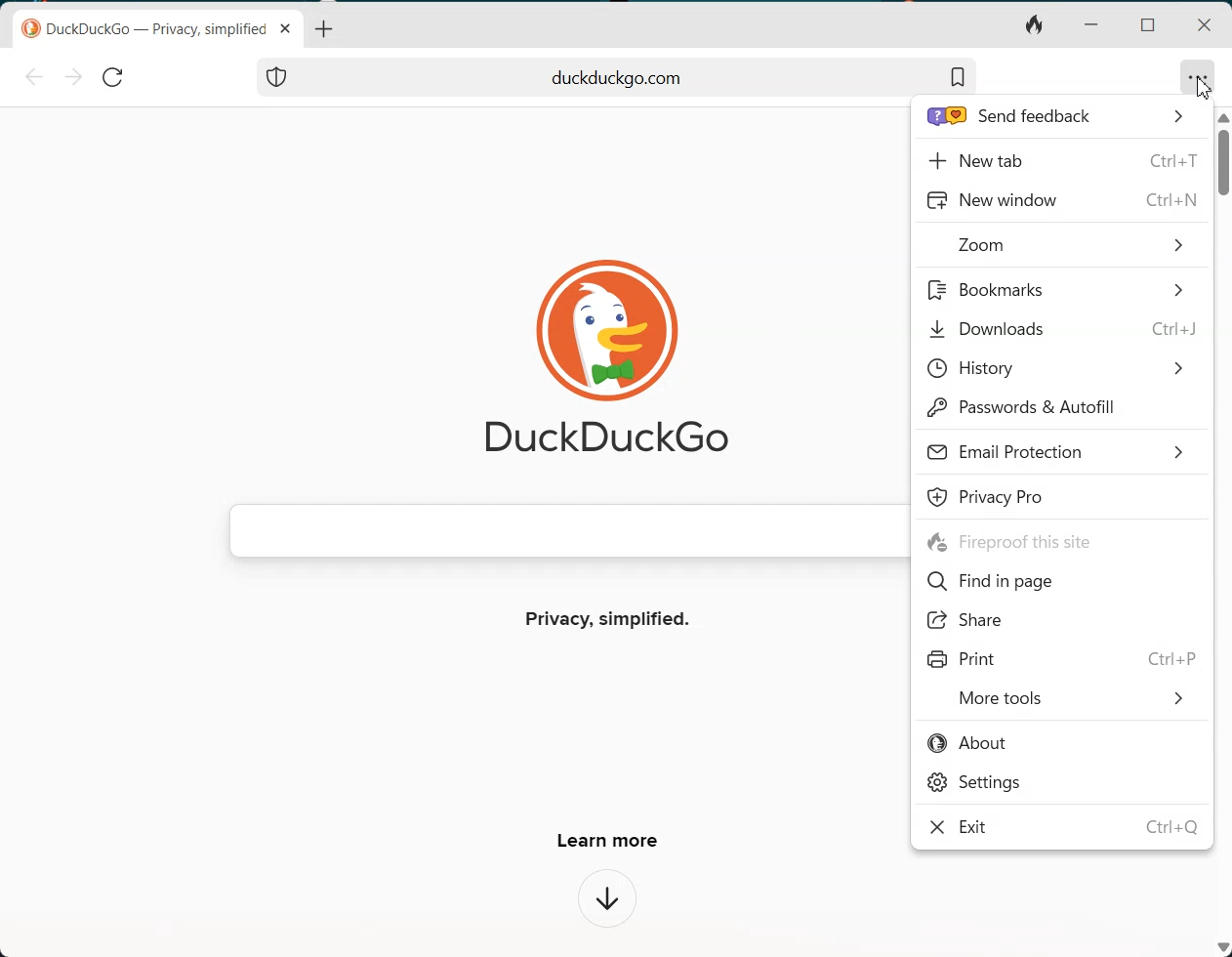 Image resolution: width=1232 pixels, height=957 pixels. Describe the element at coordinates (607, 899) in the screenshot. I see `Dropdown box of learn more` at that location.